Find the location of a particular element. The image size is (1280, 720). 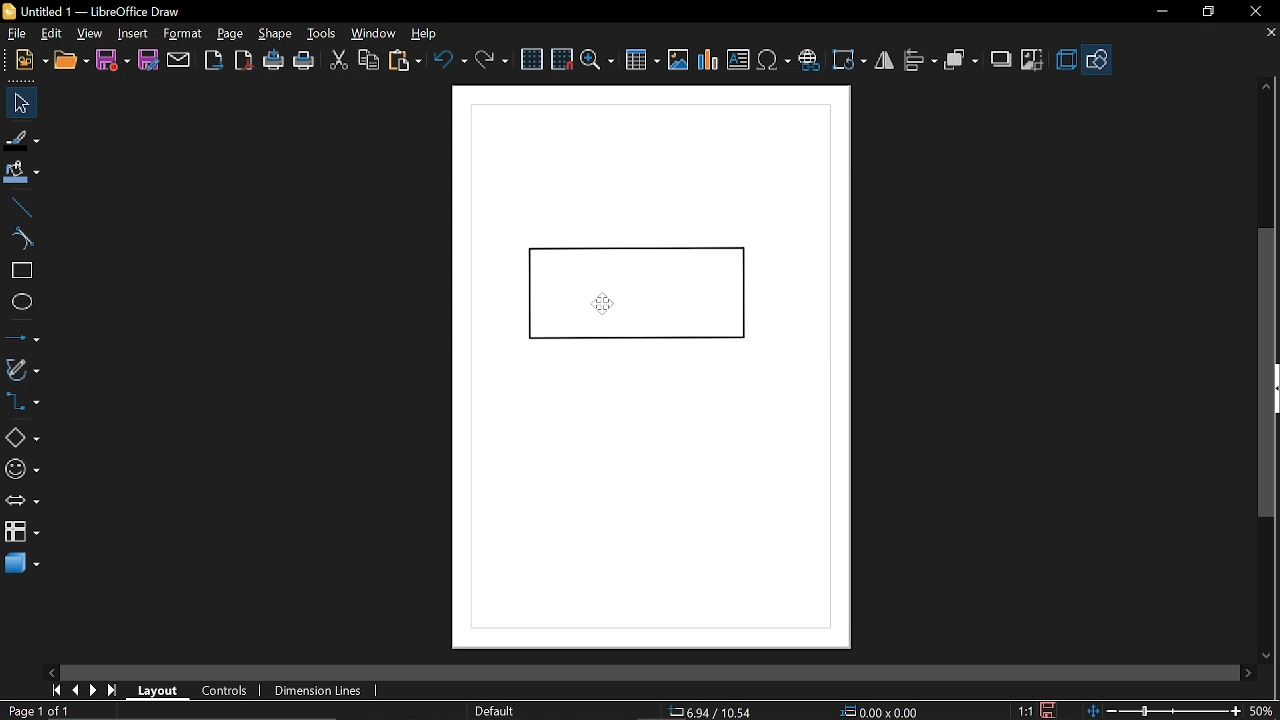

go to first page is located at coordinates (54, 691).